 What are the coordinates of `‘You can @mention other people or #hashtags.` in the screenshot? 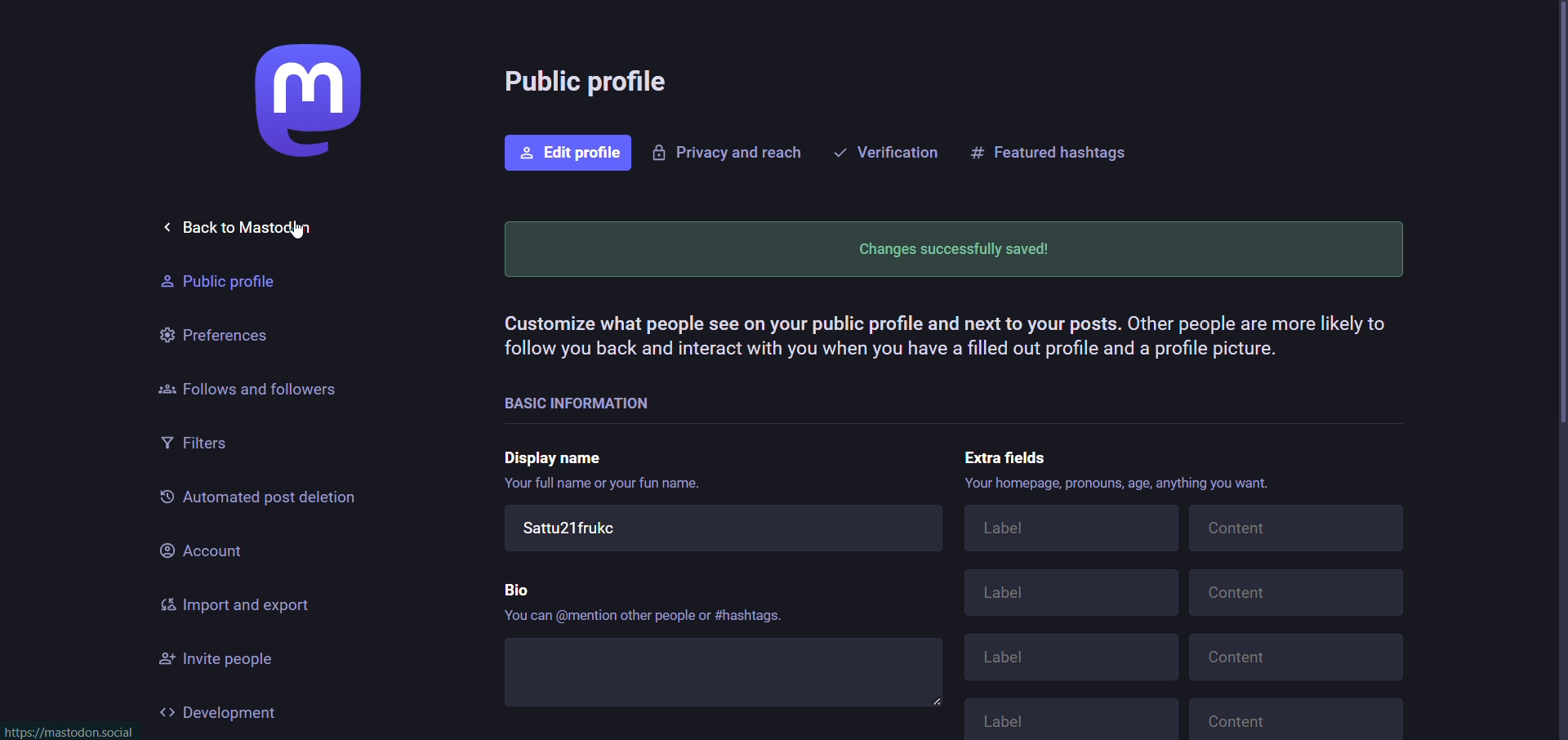 It's located at (644, 617).